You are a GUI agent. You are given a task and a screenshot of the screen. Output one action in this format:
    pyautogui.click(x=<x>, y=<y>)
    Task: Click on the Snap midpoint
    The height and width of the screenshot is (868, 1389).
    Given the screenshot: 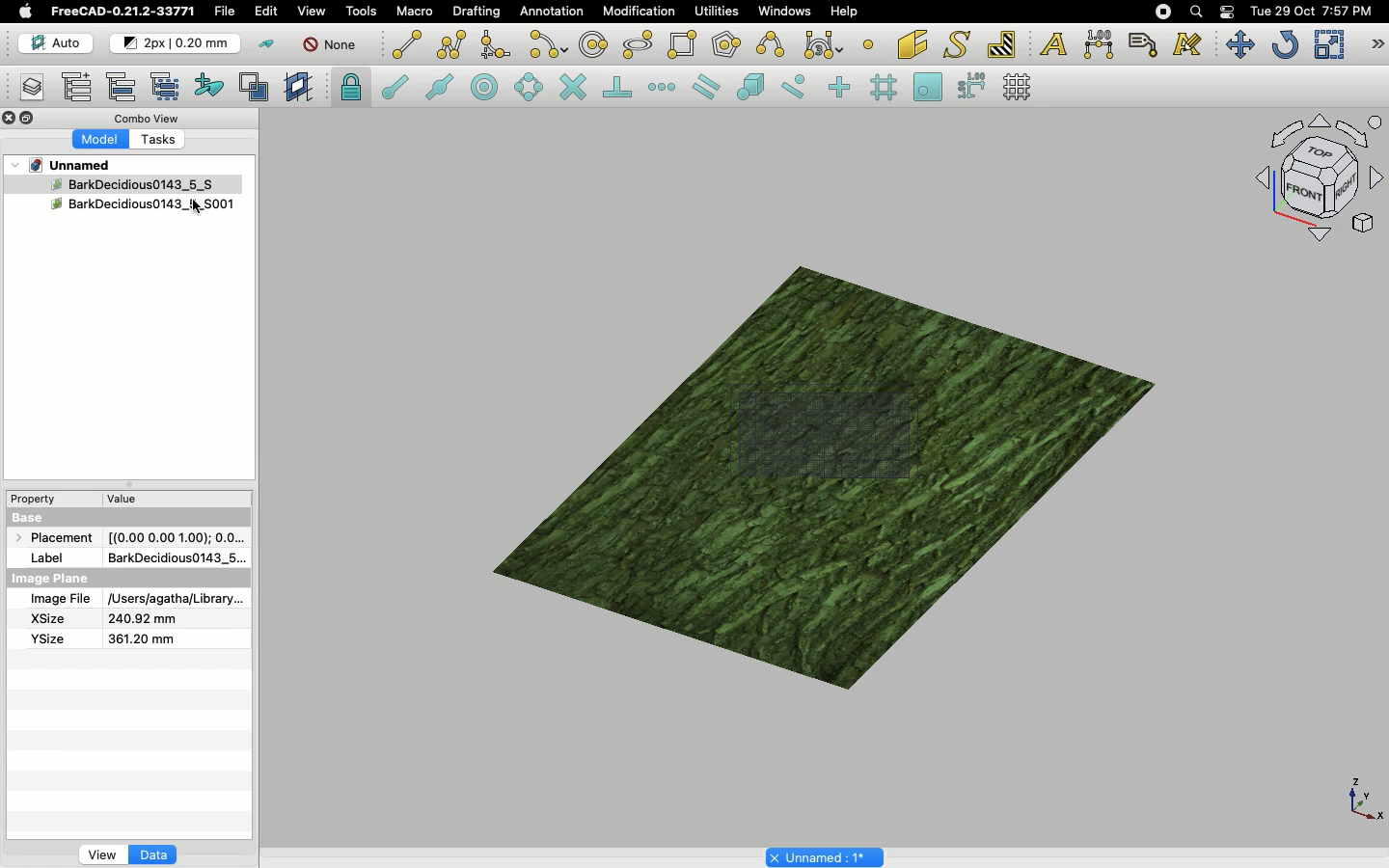 What is the action you would take?
    pyautogui.click(x=441, y=90)
    